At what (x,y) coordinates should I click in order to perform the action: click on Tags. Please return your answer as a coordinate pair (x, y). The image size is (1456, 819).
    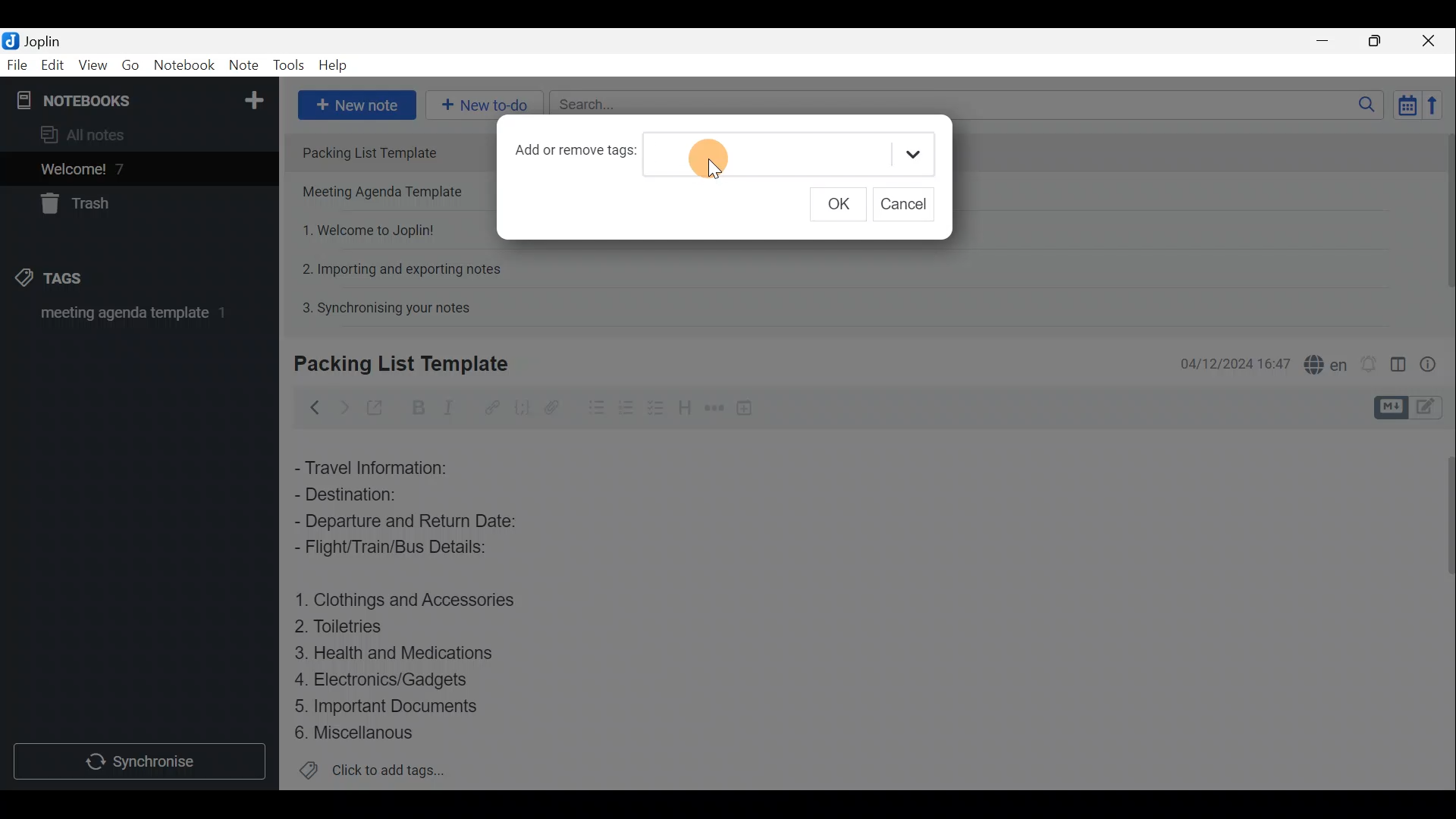
    Looking at the image, I should click on (74, 281).